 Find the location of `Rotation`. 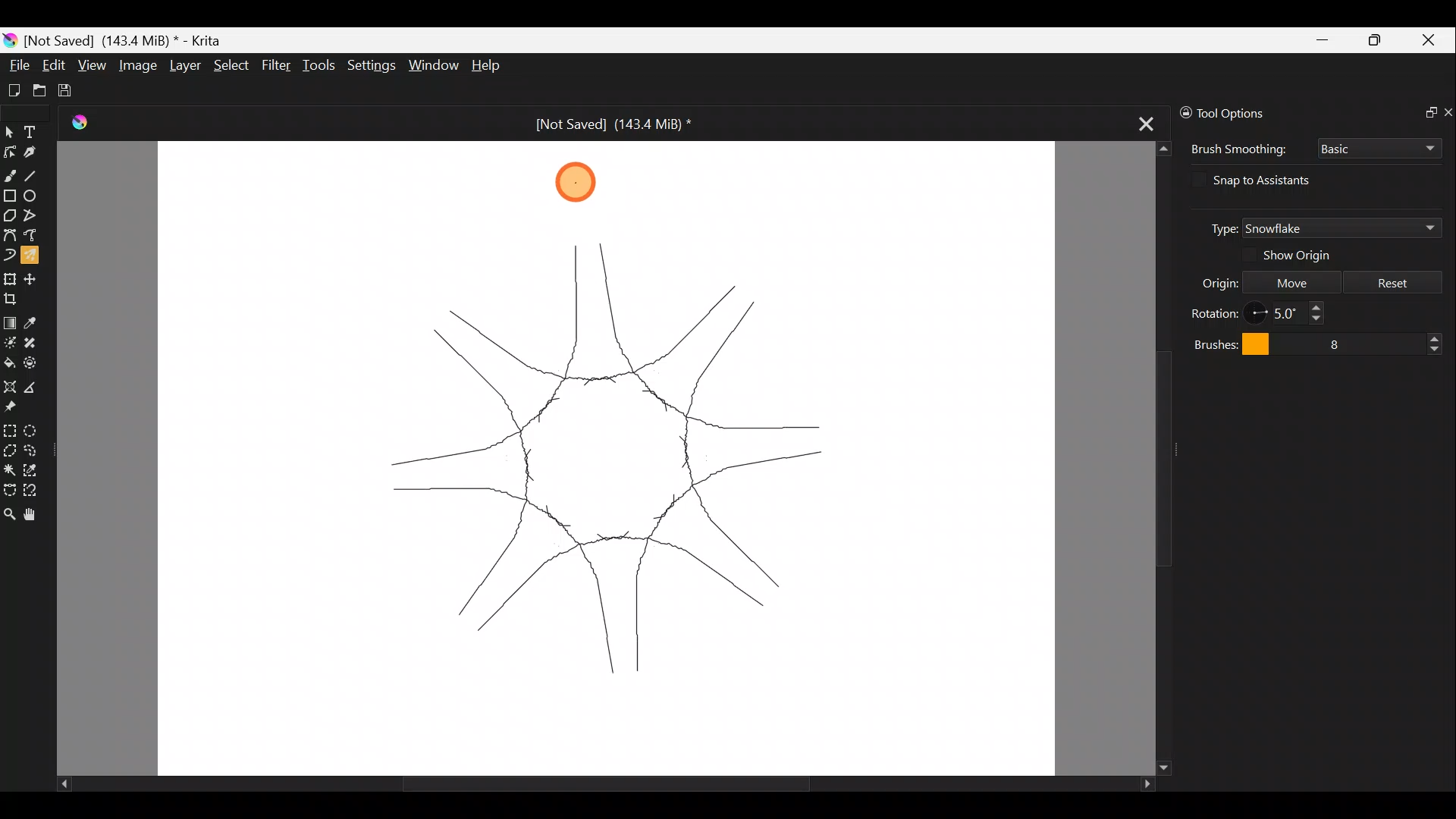

Rotation is located at coordinates (1215, 311).